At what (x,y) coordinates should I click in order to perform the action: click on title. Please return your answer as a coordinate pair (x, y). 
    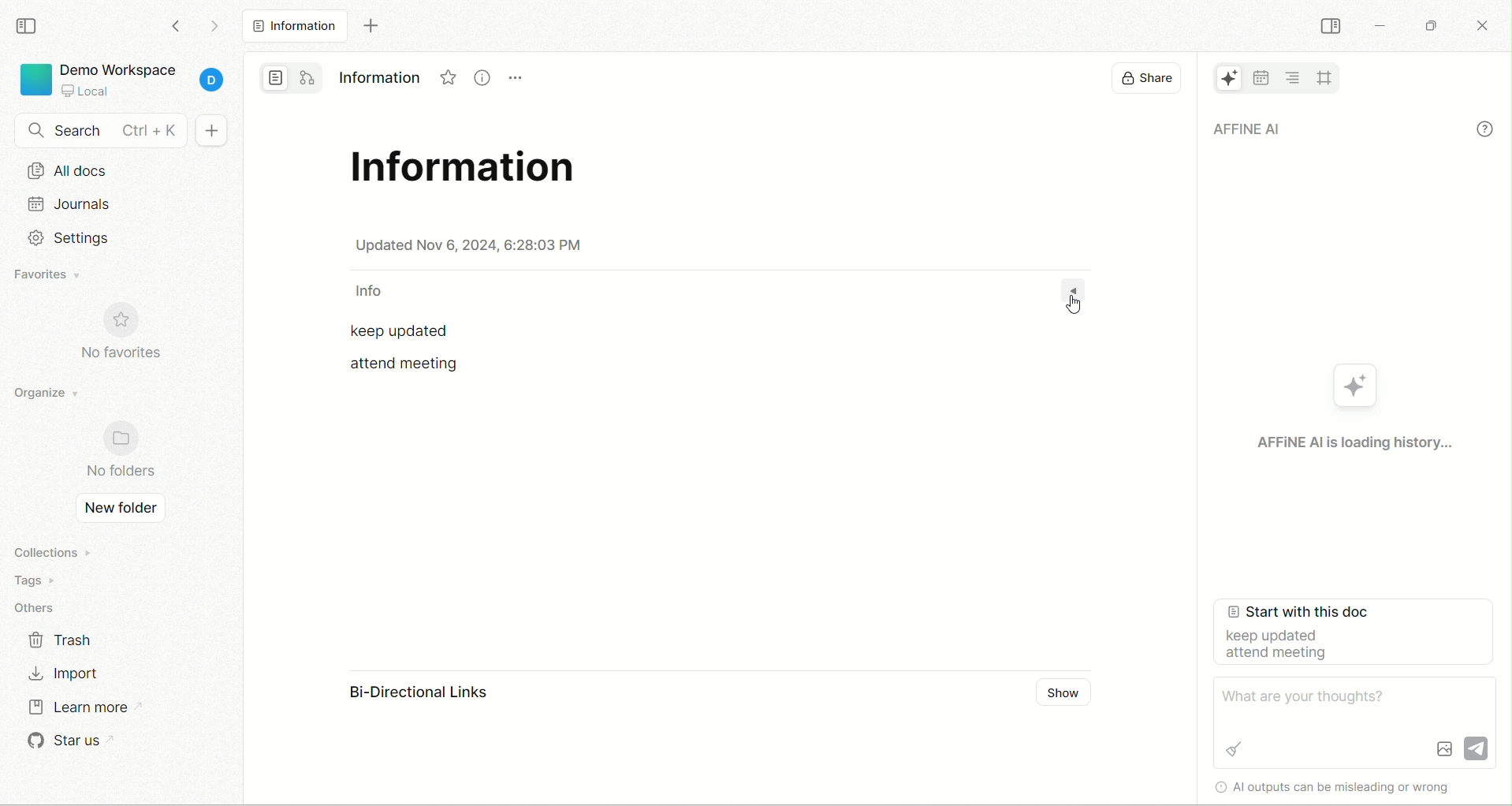
    Looking at the image, I should click on (468, 173).